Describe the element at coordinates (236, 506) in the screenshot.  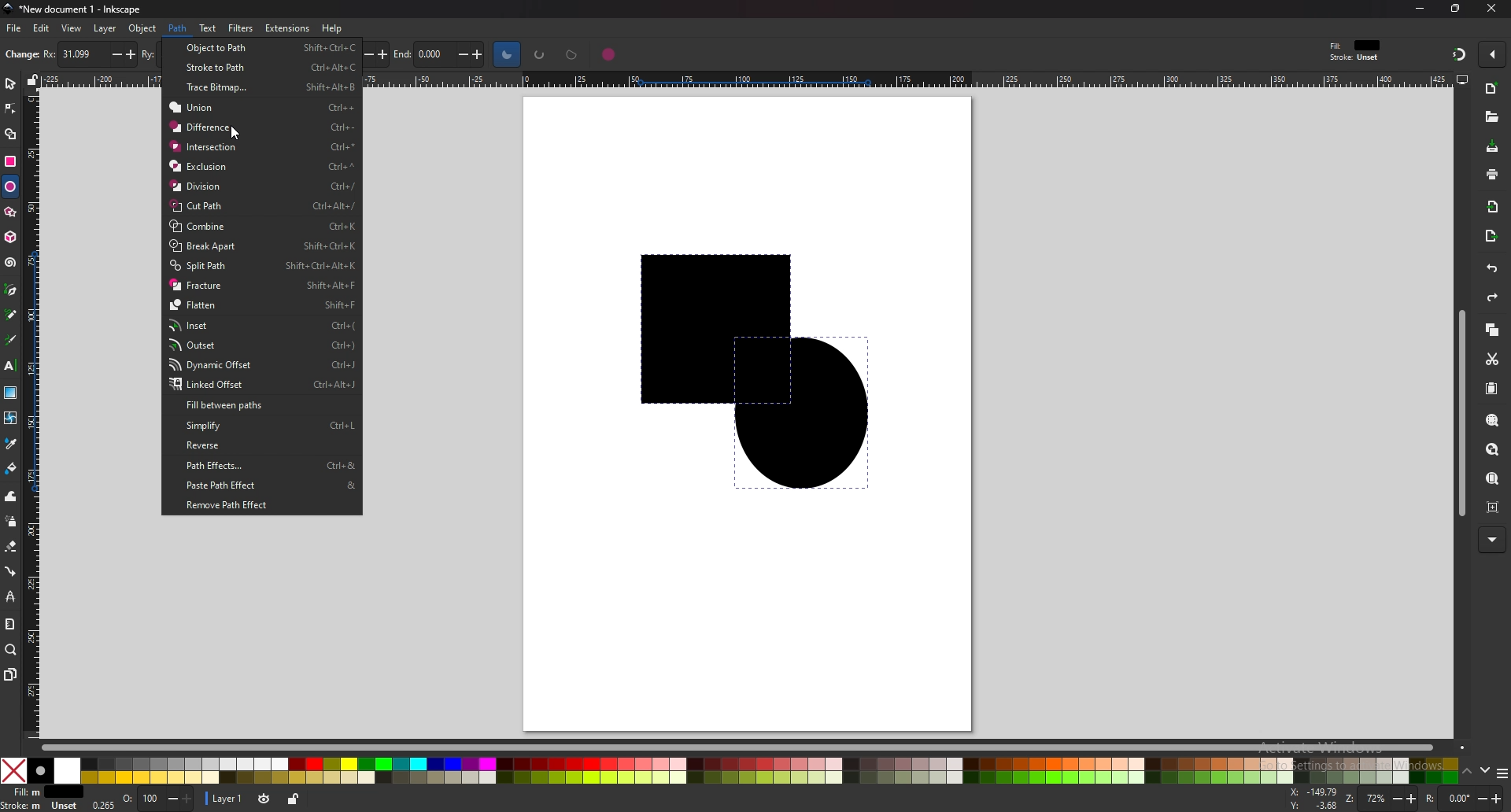
I see `Remove Path Effect` at that location.